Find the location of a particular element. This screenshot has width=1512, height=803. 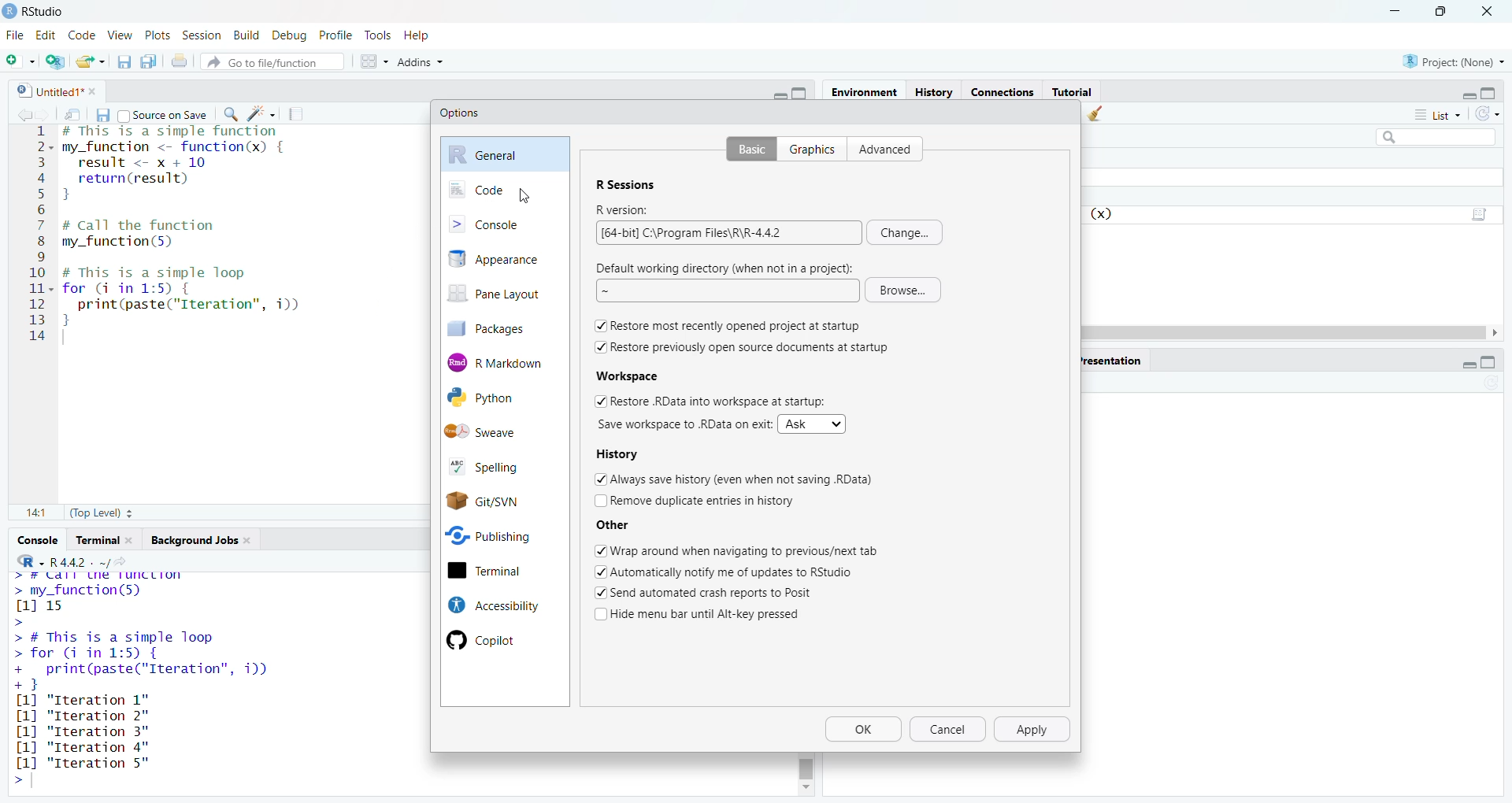

save all open documents is located at coordinates (149, 61).